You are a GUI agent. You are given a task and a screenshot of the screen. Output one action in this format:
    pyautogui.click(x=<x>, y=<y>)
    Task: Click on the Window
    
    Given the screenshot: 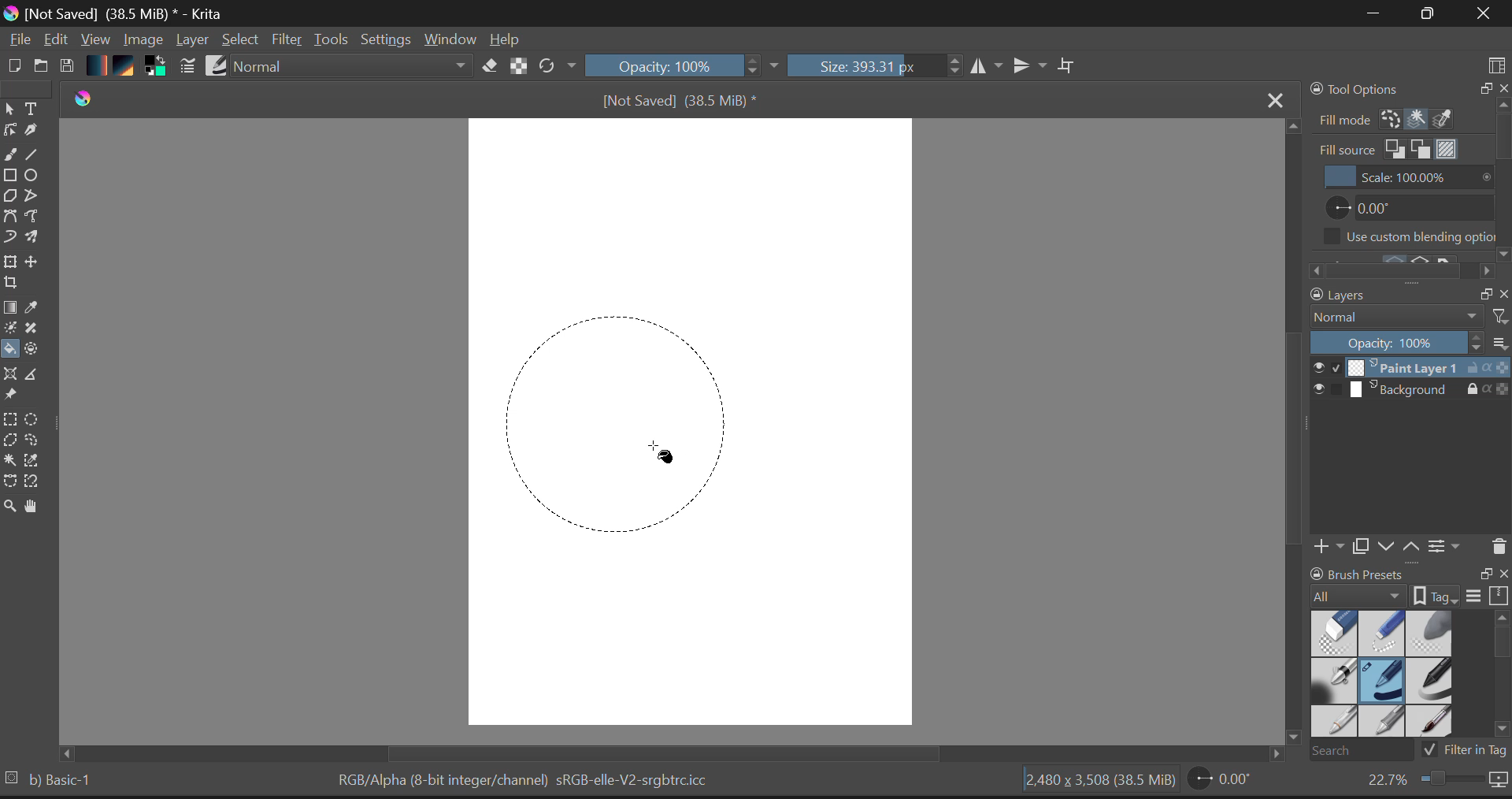 What is the action you would take?
    pyautogui.click(x=449, y=39)
    